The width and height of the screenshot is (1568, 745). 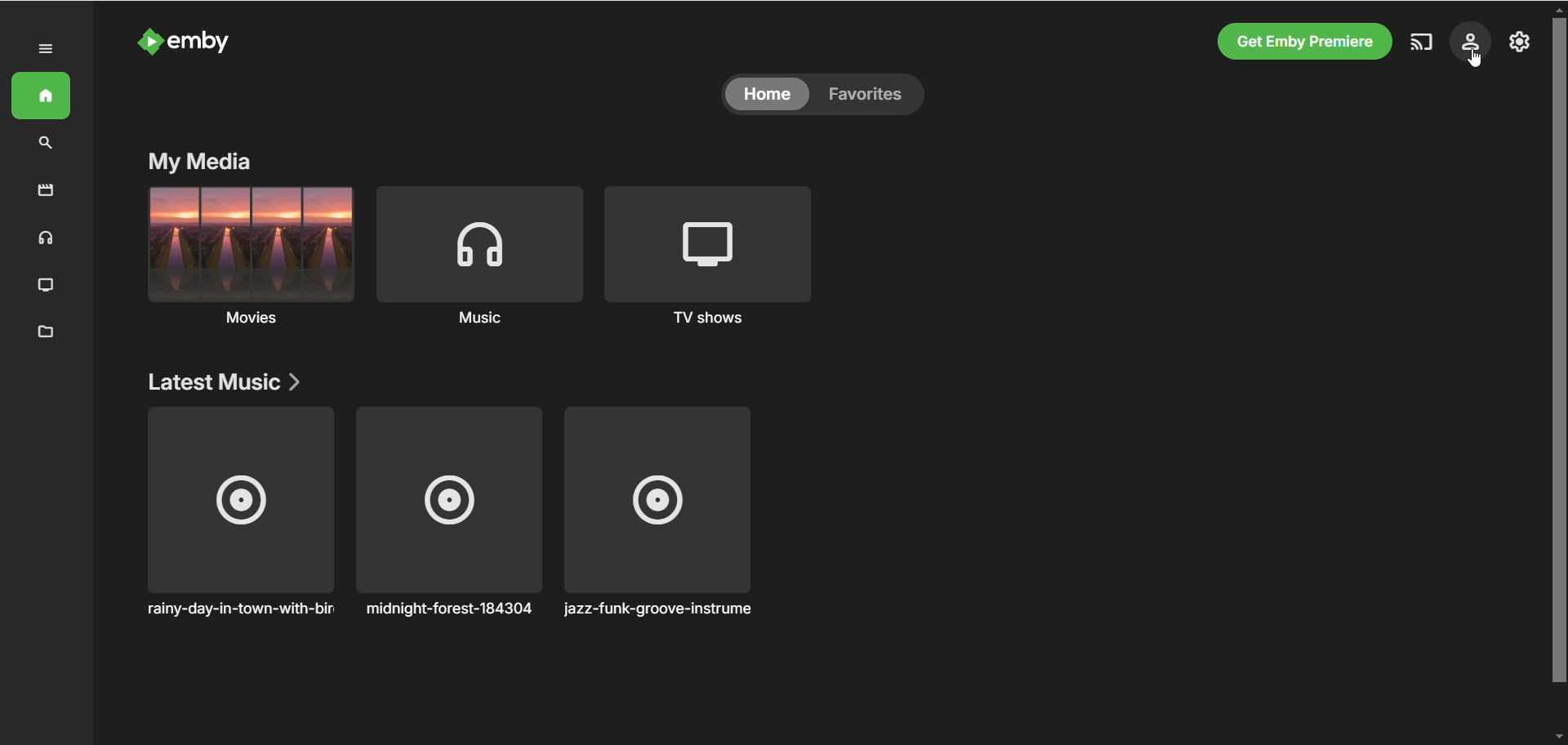 I want to click on emby, so click(x=207, y=43).